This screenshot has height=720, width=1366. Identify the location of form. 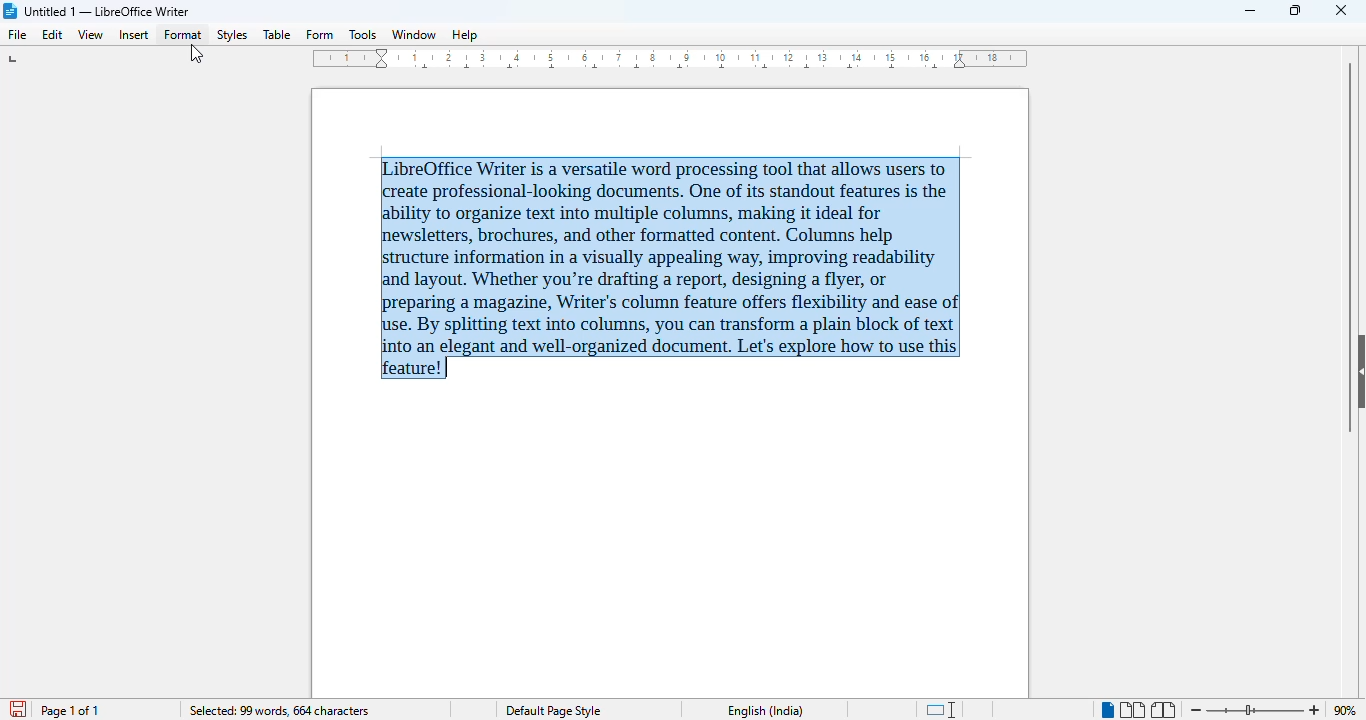
(320, 35).